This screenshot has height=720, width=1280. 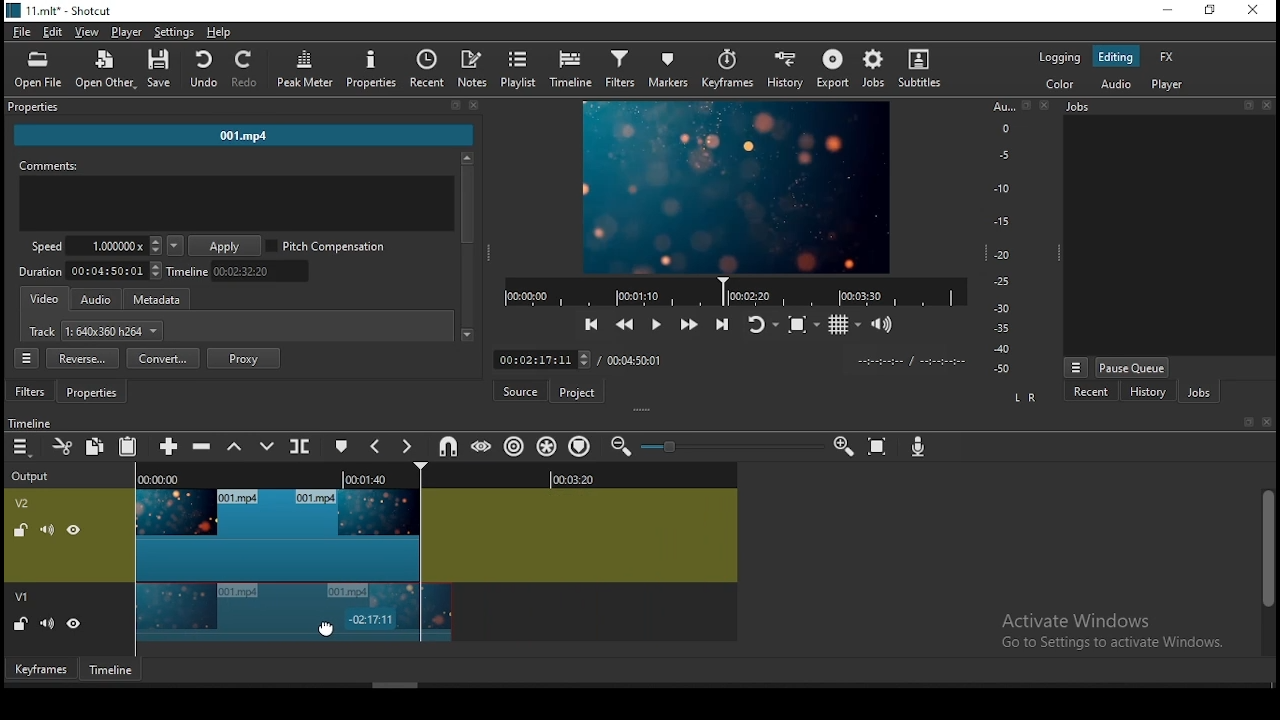 I want to click on player, so click(x=131, y=33).